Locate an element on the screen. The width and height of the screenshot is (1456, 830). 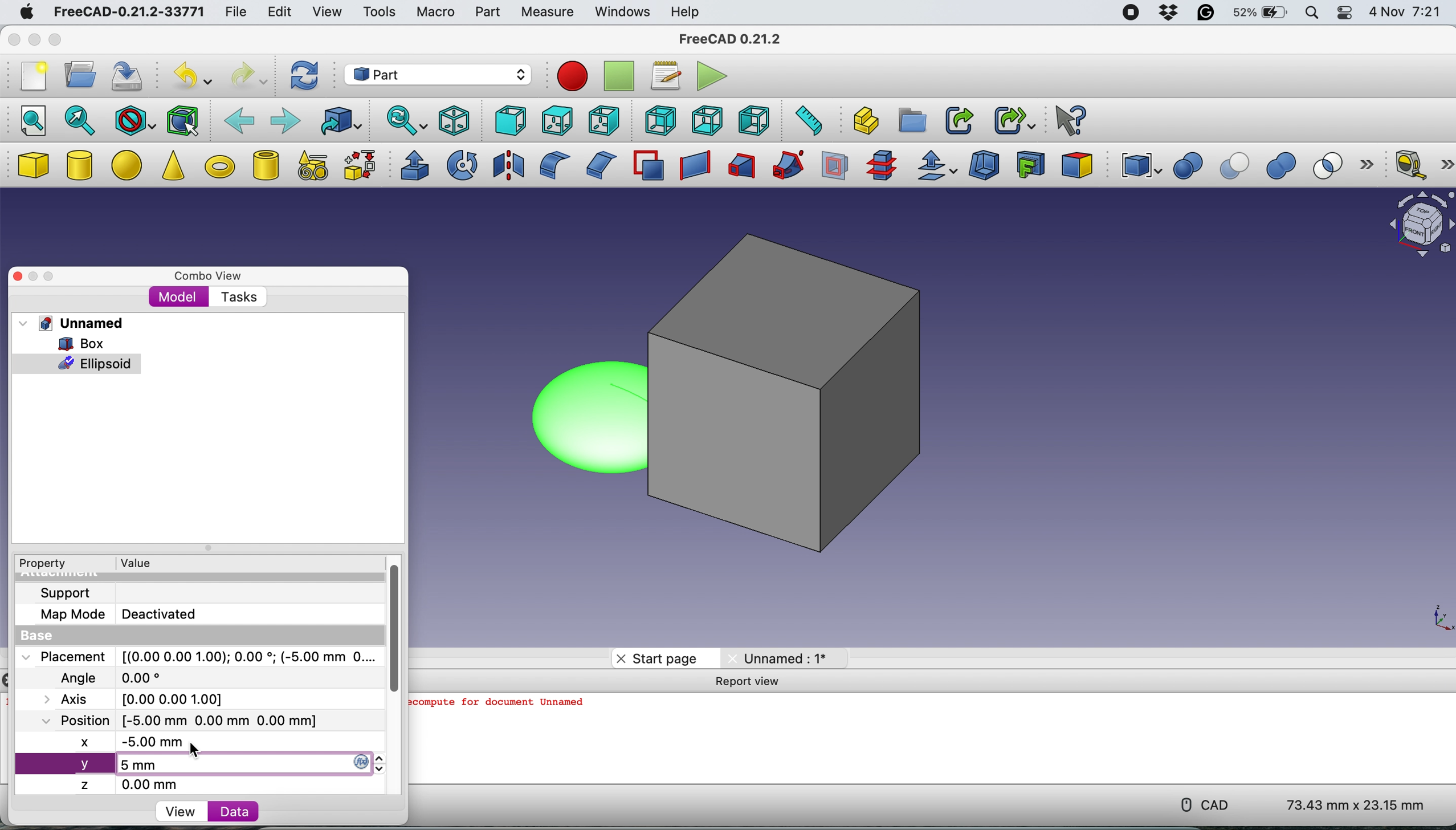
FreeCAD-0.21.2-33771 is located at coordinates (127, 13).